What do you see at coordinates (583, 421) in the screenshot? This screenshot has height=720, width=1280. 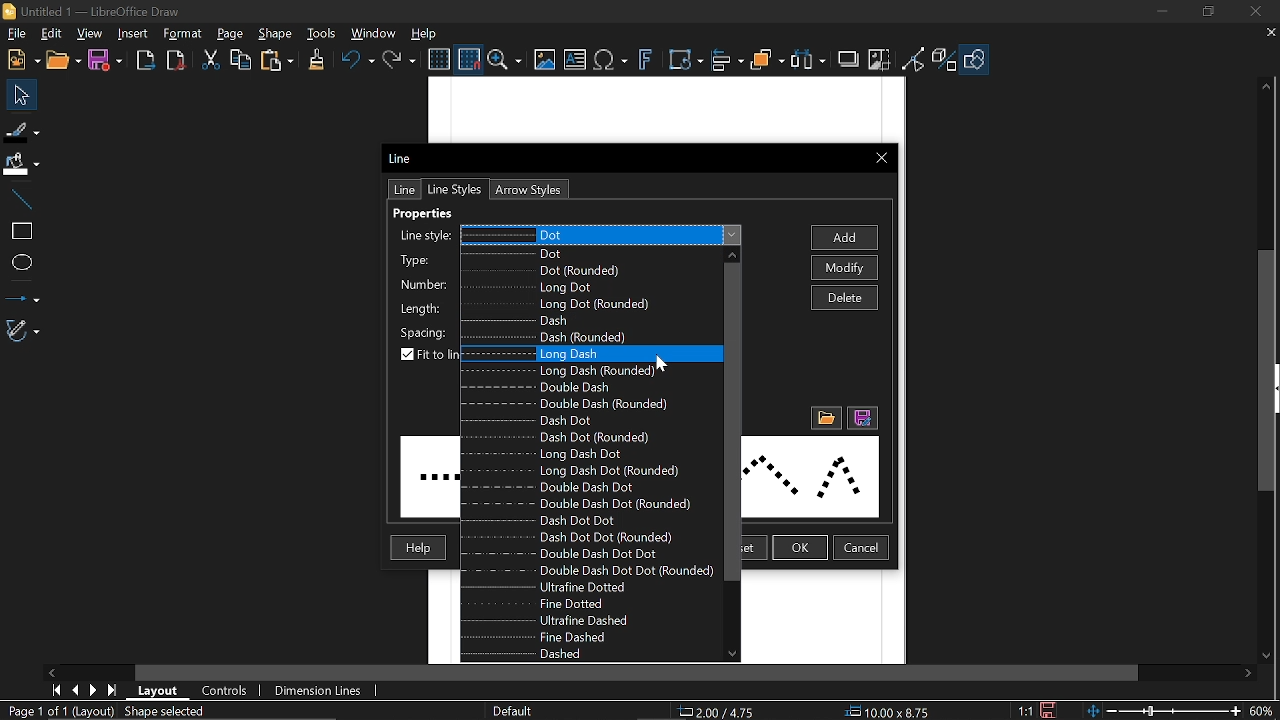 I see `Dash dot` at bounding box center [583, 421].